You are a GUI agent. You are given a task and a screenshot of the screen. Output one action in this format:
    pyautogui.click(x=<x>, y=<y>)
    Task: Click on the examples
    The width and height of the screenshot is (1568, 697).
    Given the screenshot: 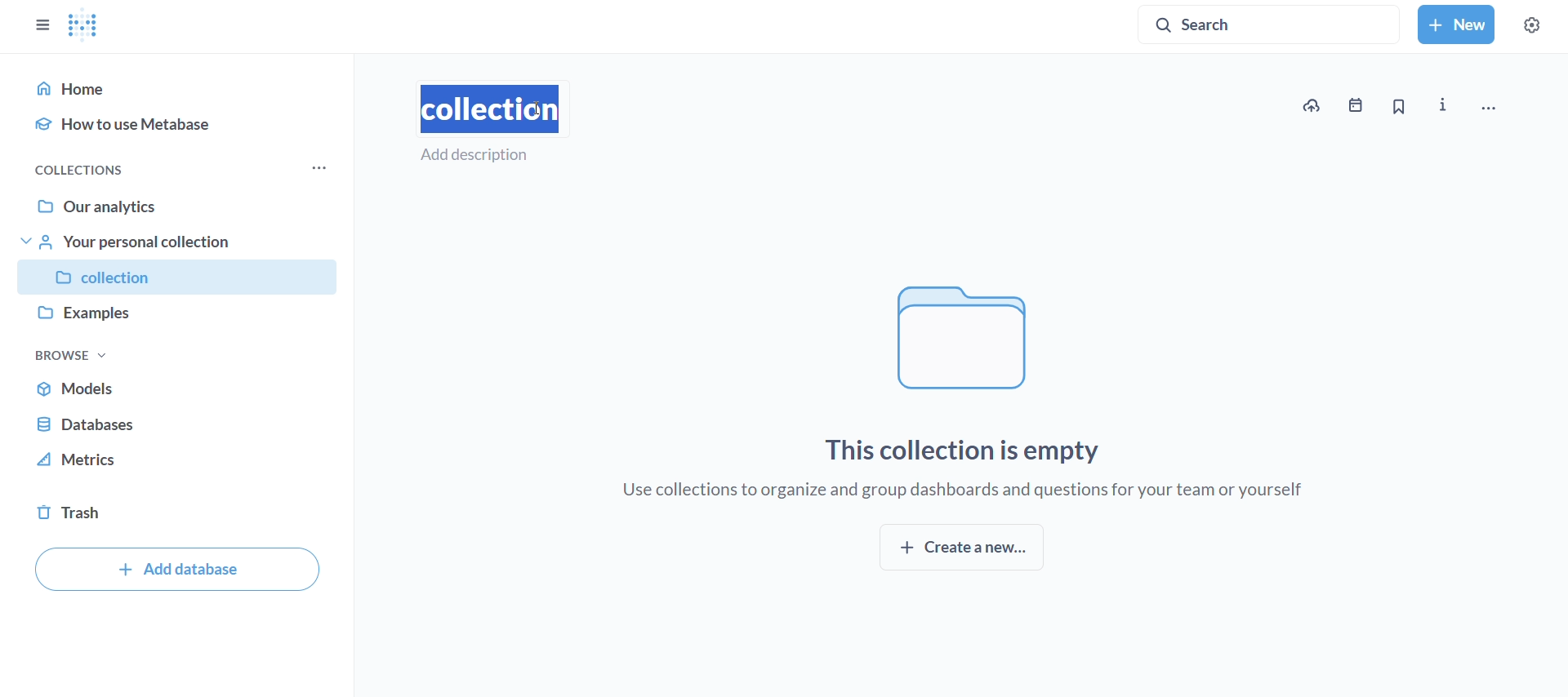 What is the action you would take?
    pyautogui.click(x=183, y=317)
    